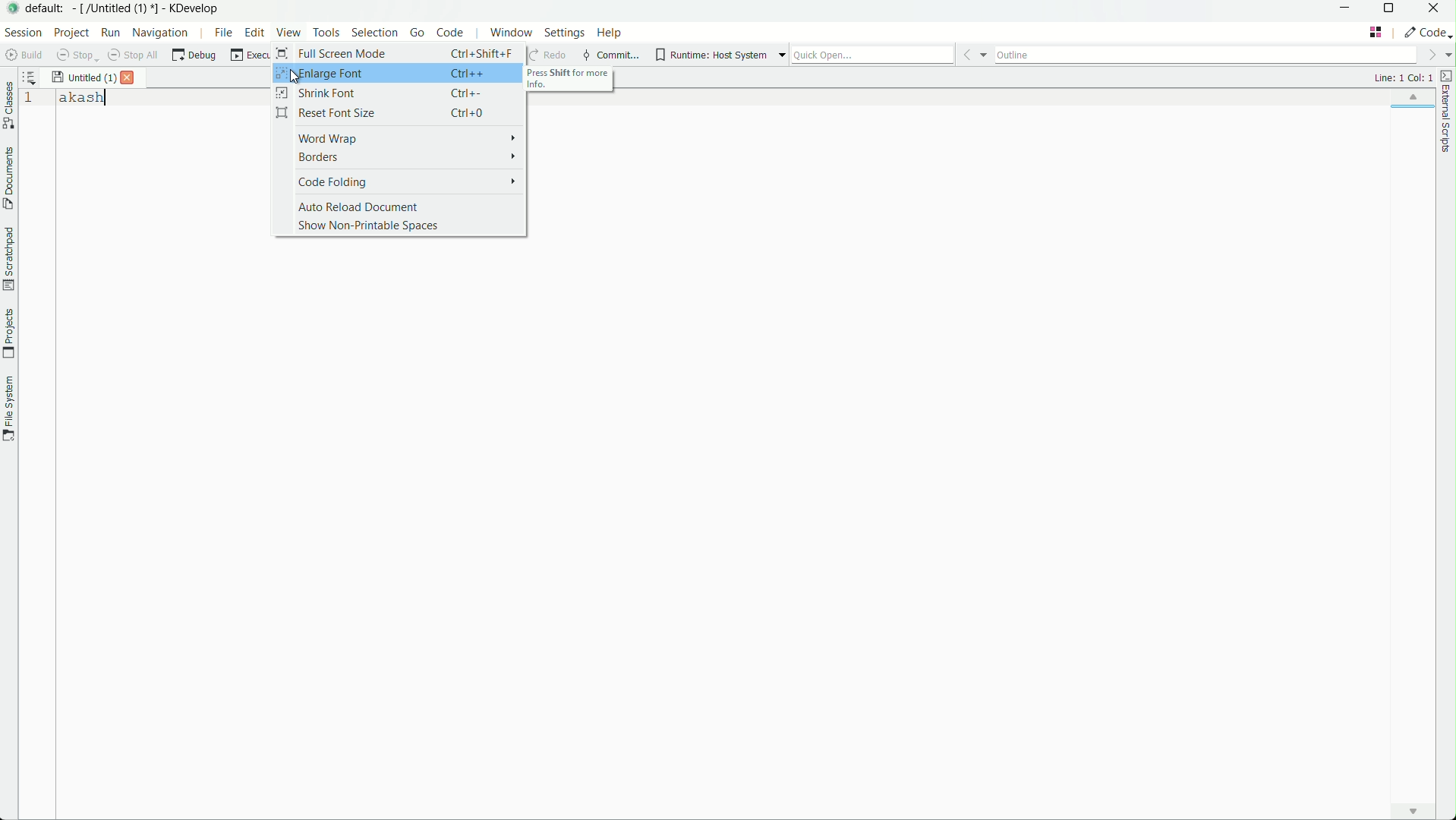  Describe the element at coordinates (9, 408) in the screenshot. I see `file system` at that location.